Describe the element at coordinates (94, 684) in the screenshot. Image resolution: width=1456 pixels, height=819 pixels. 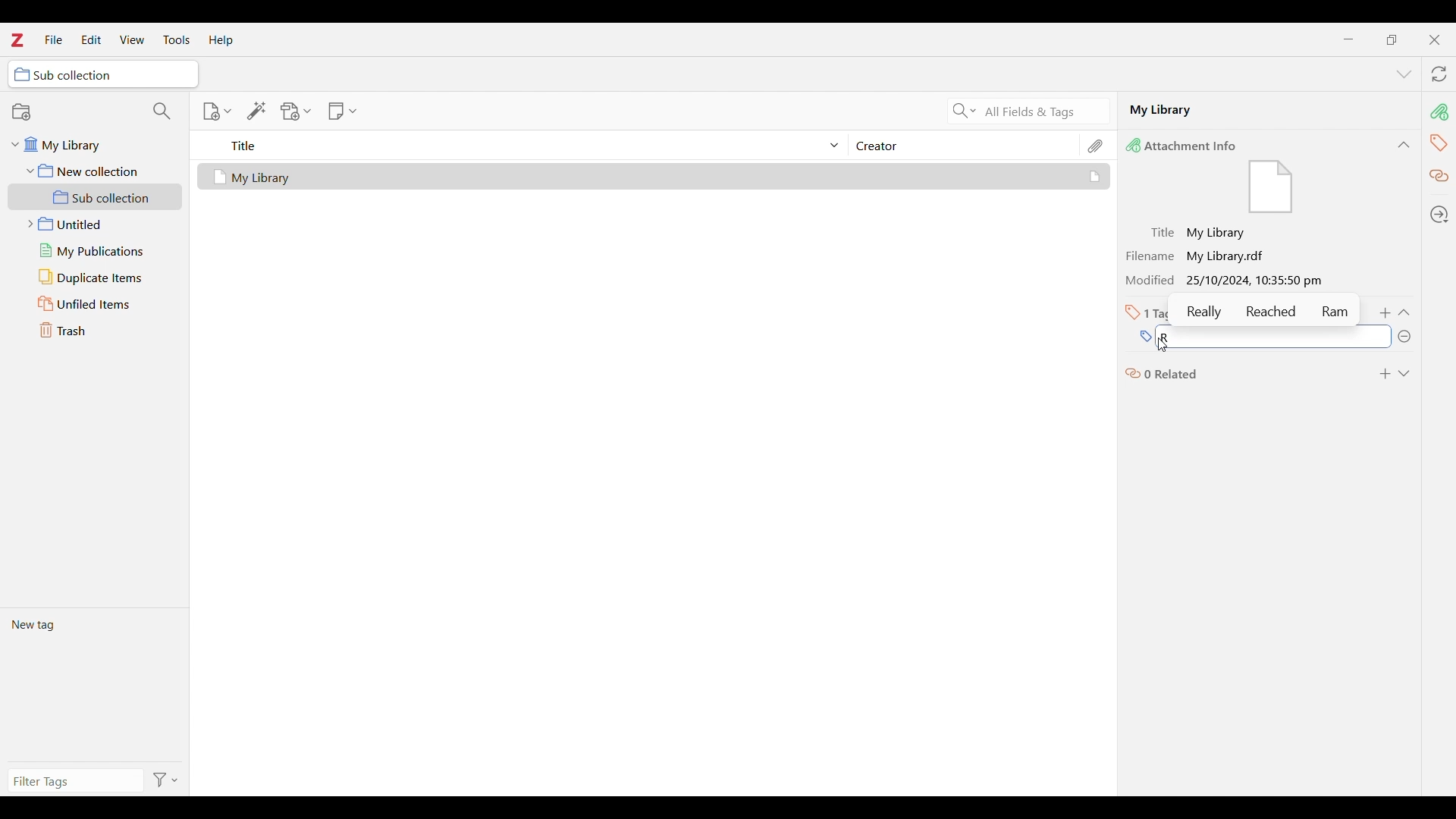
I see `Current tags` at that location.